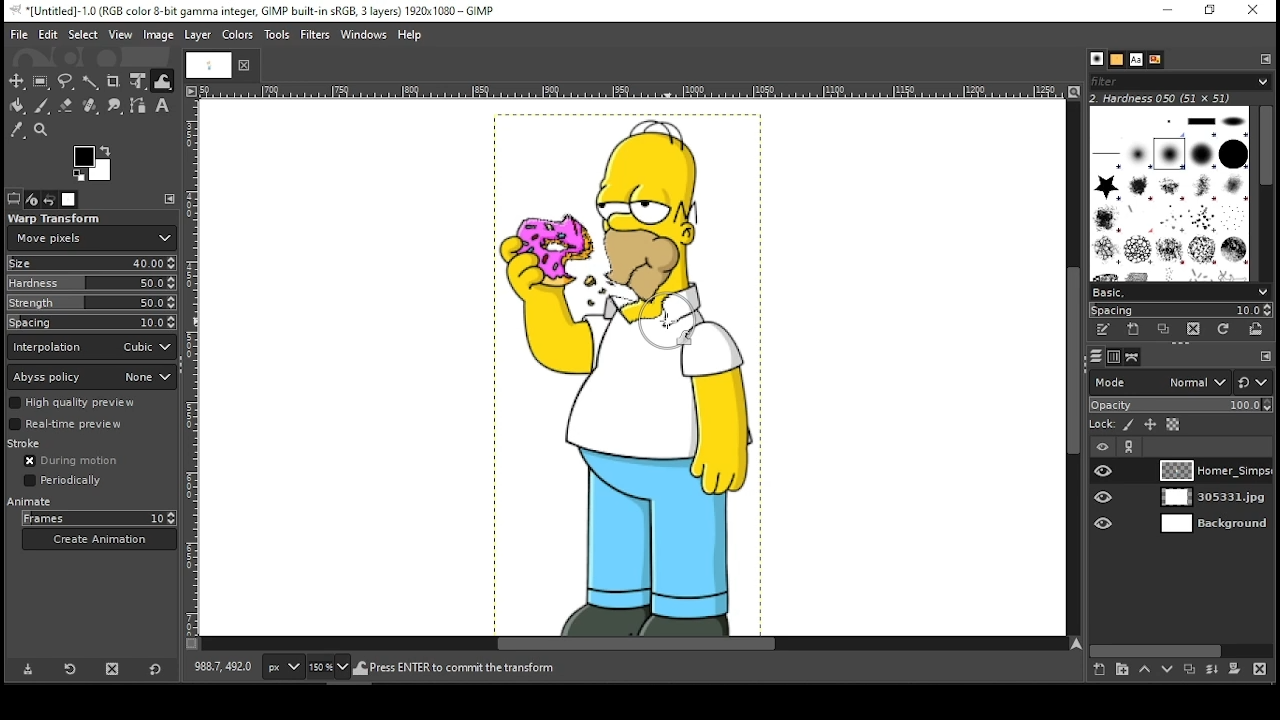  I want to click on edit toolbar, so click(170, 199).